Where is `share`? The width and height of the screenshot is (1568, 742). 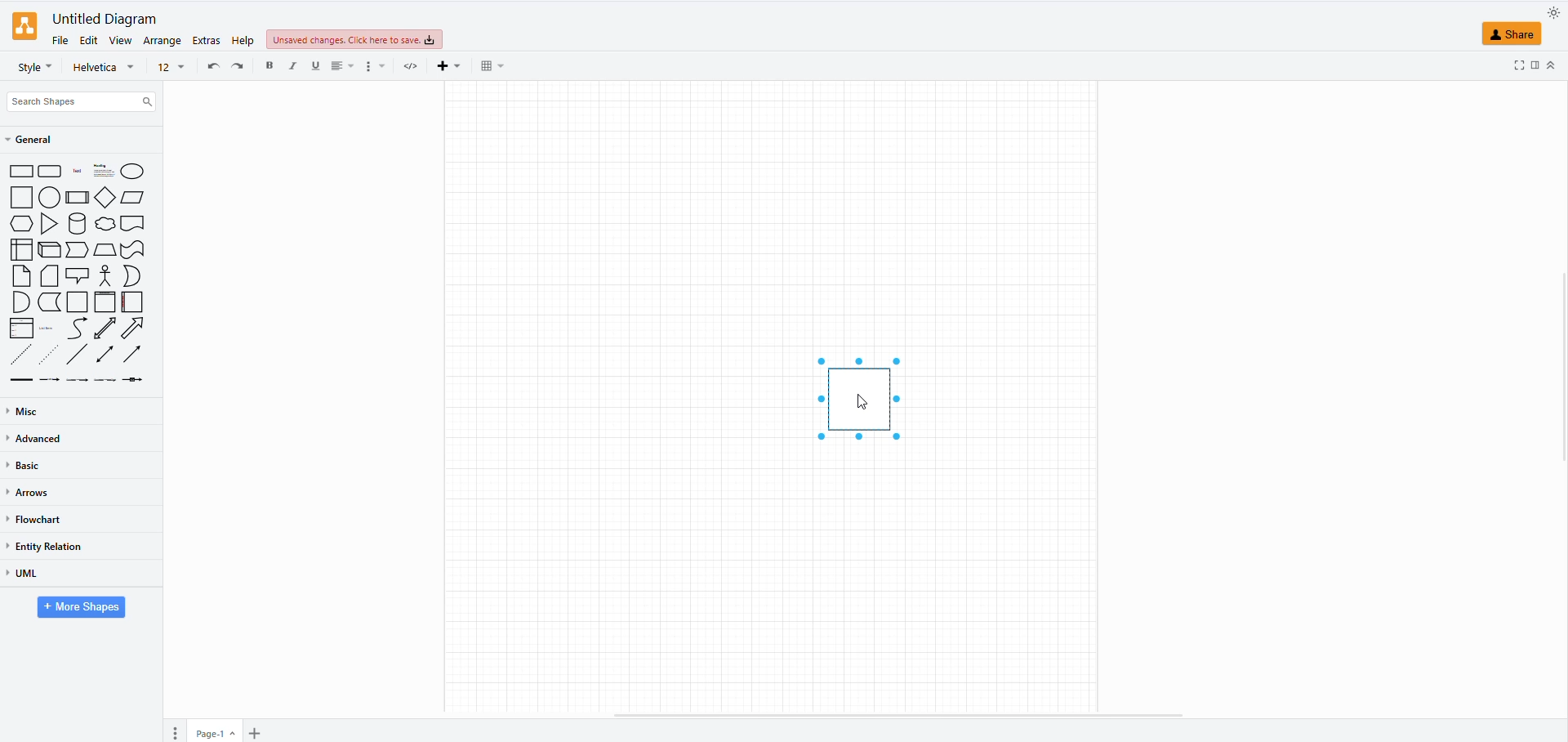 share is located at coordinates (1512, 34).